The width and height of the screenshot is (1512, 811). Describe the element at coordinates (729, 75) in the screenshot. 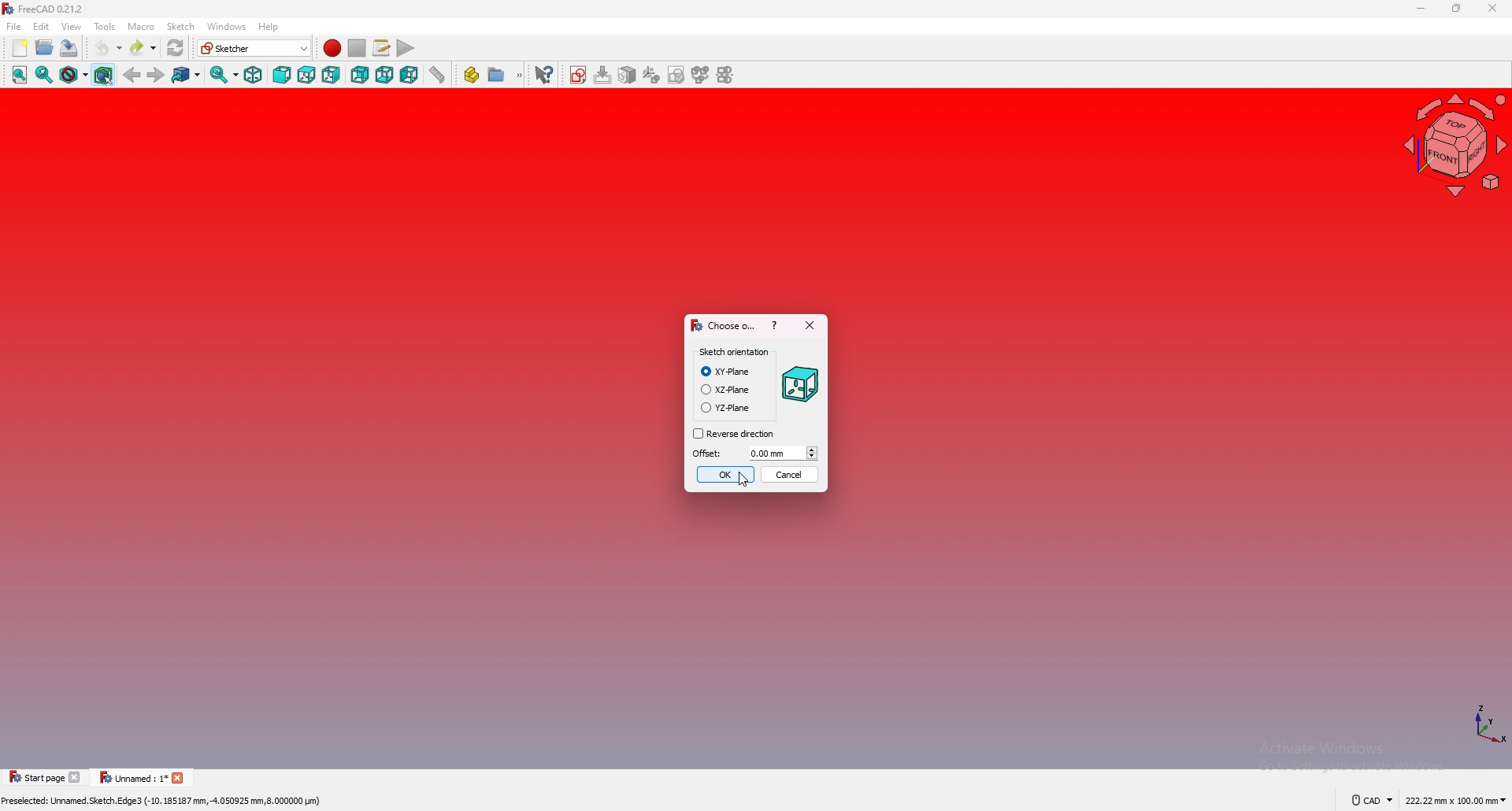

I see `mirror sketch` at that location.